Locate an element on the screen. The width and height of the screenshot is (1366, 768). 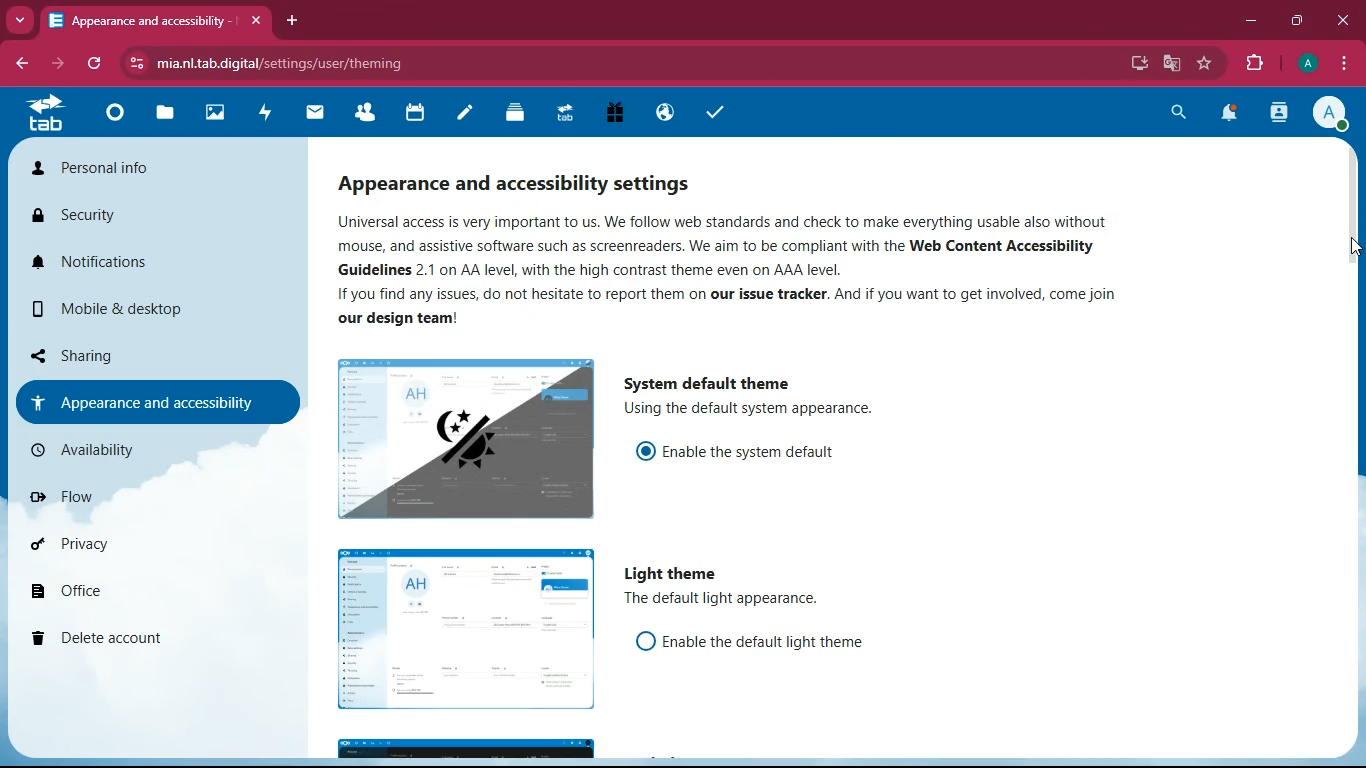
enable is located at coordinates (774, 643).